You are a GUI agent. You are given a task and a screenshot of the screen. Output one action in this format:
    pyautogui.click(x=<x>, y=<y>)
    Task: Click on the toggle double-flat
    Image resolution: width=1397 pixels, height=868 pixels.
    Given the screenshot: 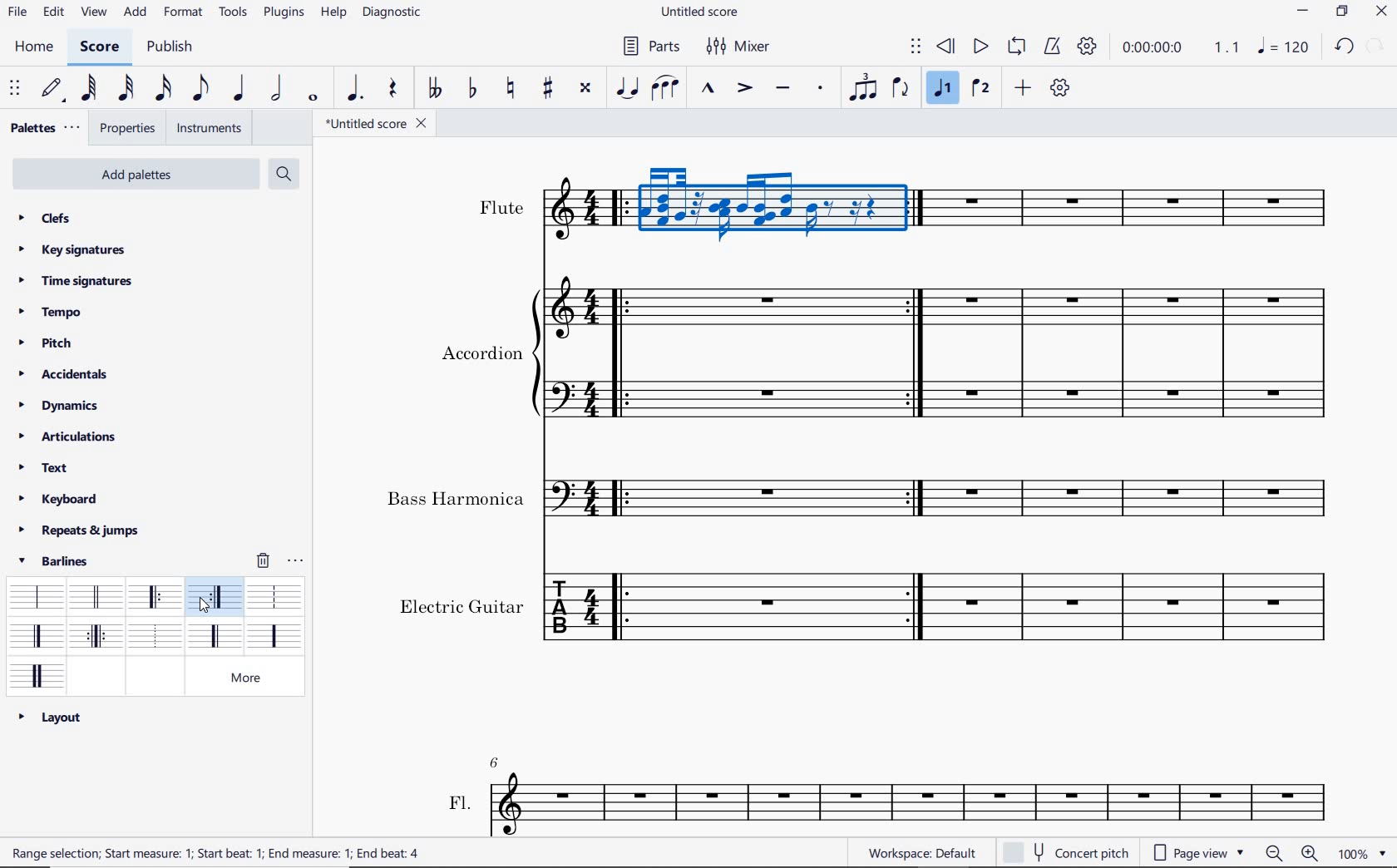 What is the action you would take?
    pyautogui.click(x=434, y=89)
    